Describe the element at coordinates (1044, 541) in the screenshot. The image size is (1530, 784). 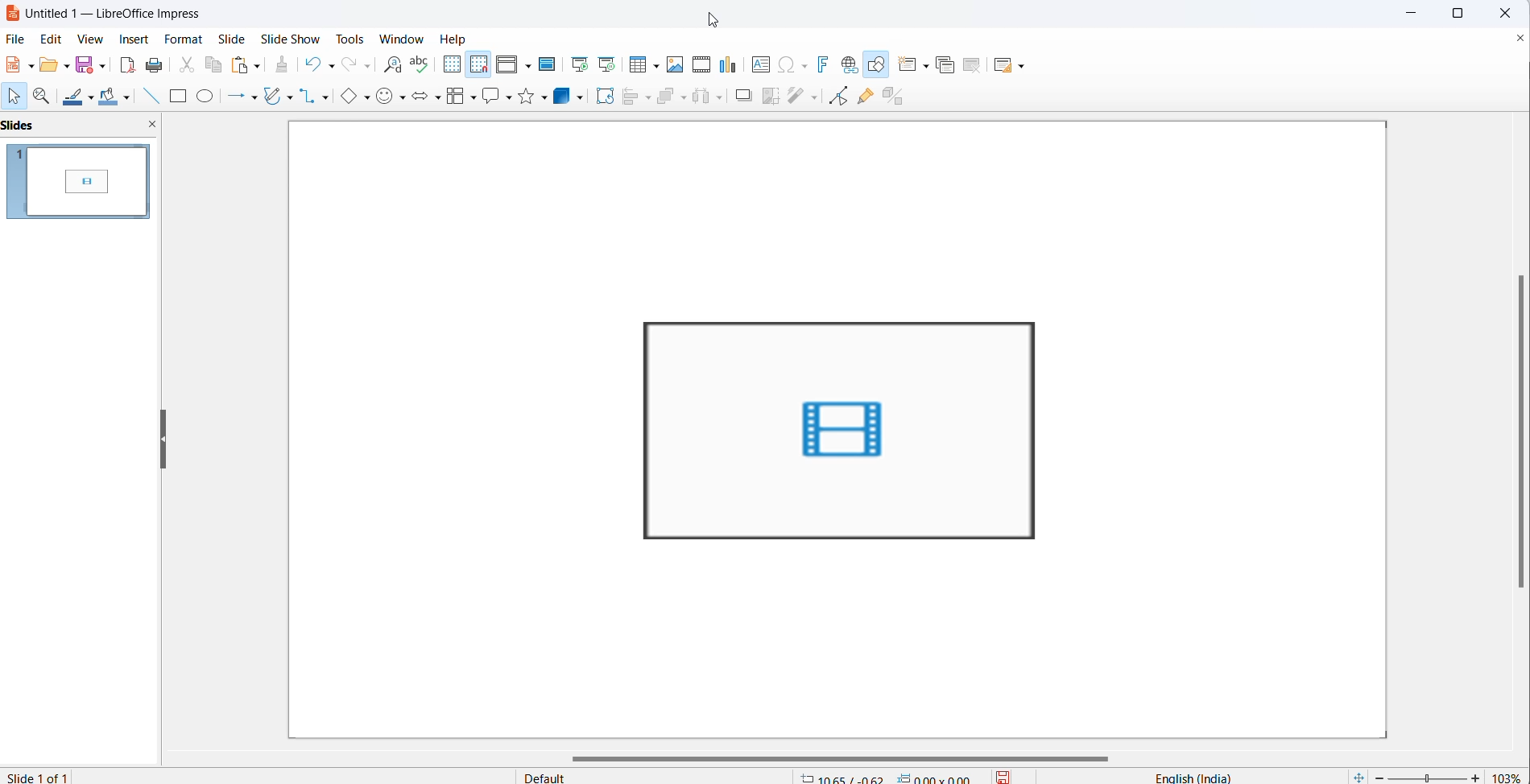
I see `selection markup` at that location.